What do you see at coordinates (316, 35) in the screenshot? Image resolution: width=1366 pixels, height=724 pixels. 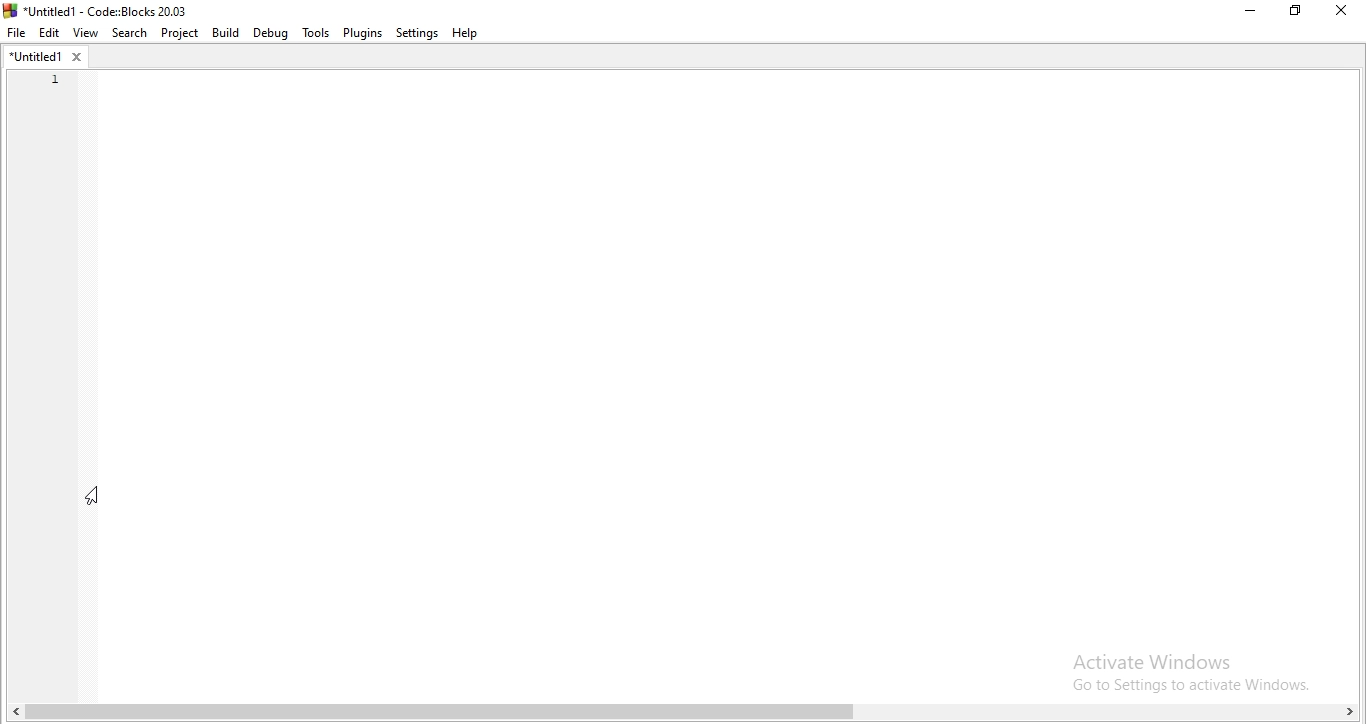 I see `Tools ` at bounding box center [316, 35].